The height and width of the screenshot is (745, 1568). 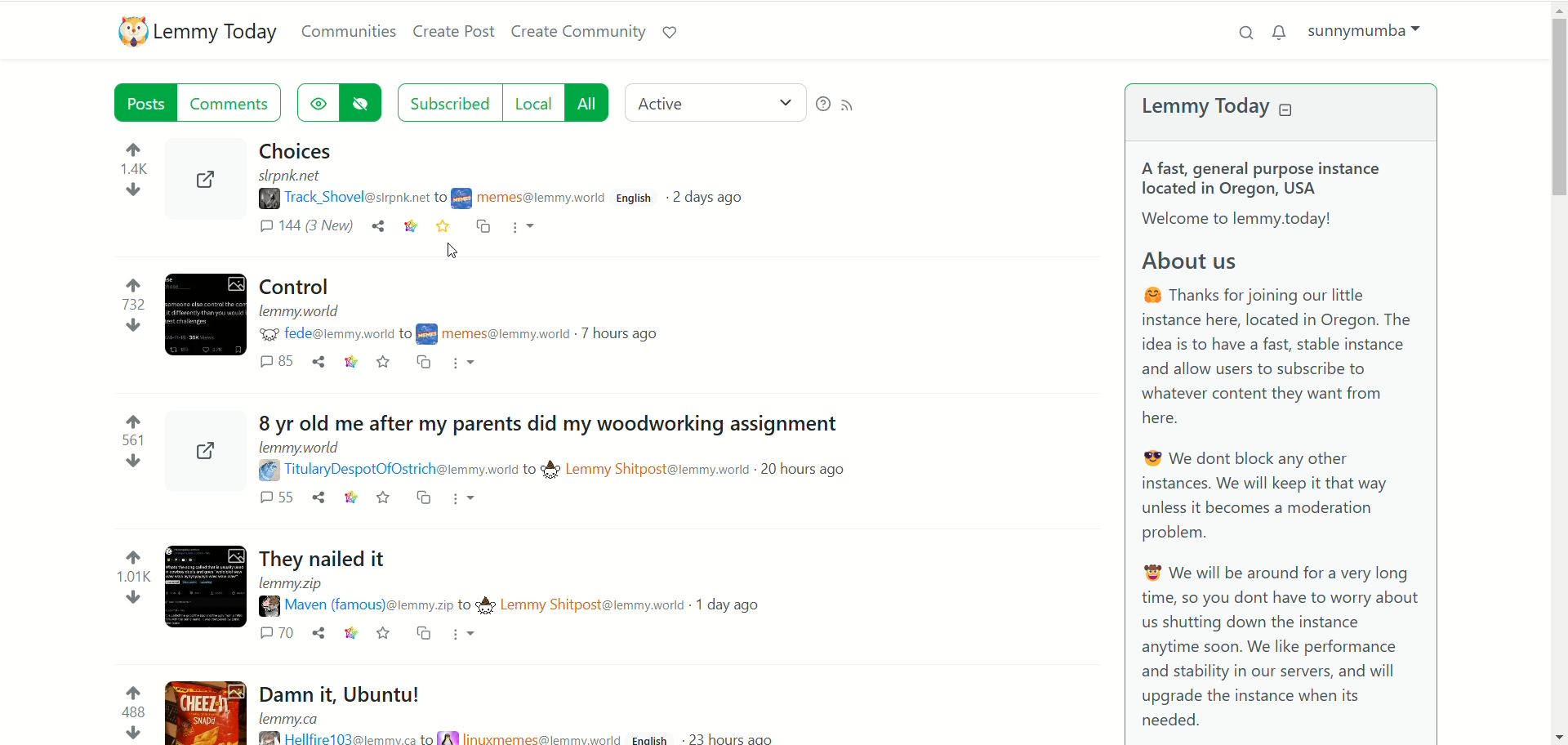 What do you see at coordinates (419, 635) in the screenshot?
I see `Cross post` at bounding box center [419, 635].